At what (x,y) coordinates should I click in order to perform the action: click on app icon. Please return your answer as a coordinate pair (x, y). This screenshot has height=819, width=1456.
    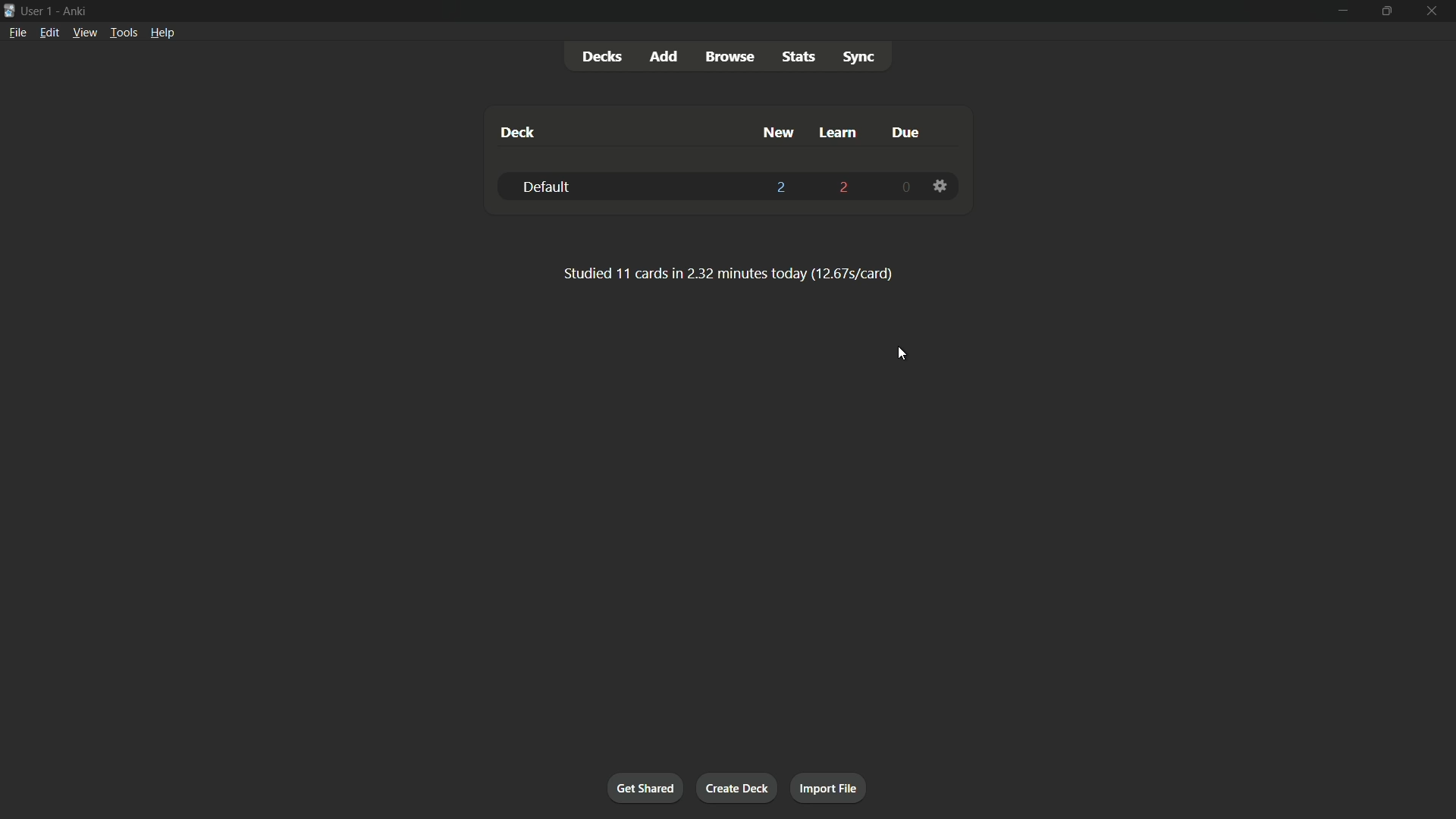
    Looking at the image, I should click on (9, 9).